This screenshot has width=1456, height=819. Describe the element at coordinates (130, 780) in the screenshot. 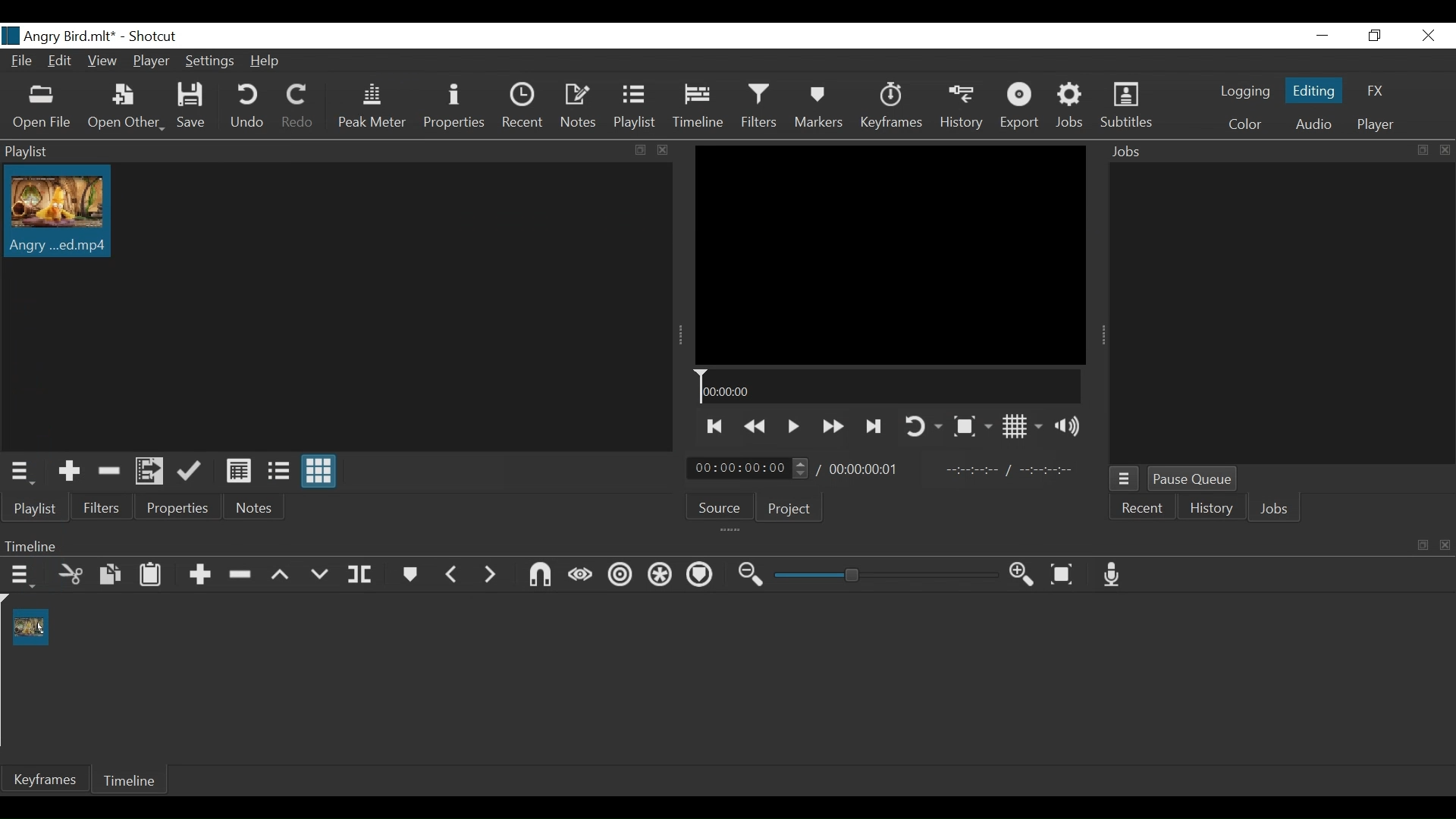

I see `Timeline` at that location.